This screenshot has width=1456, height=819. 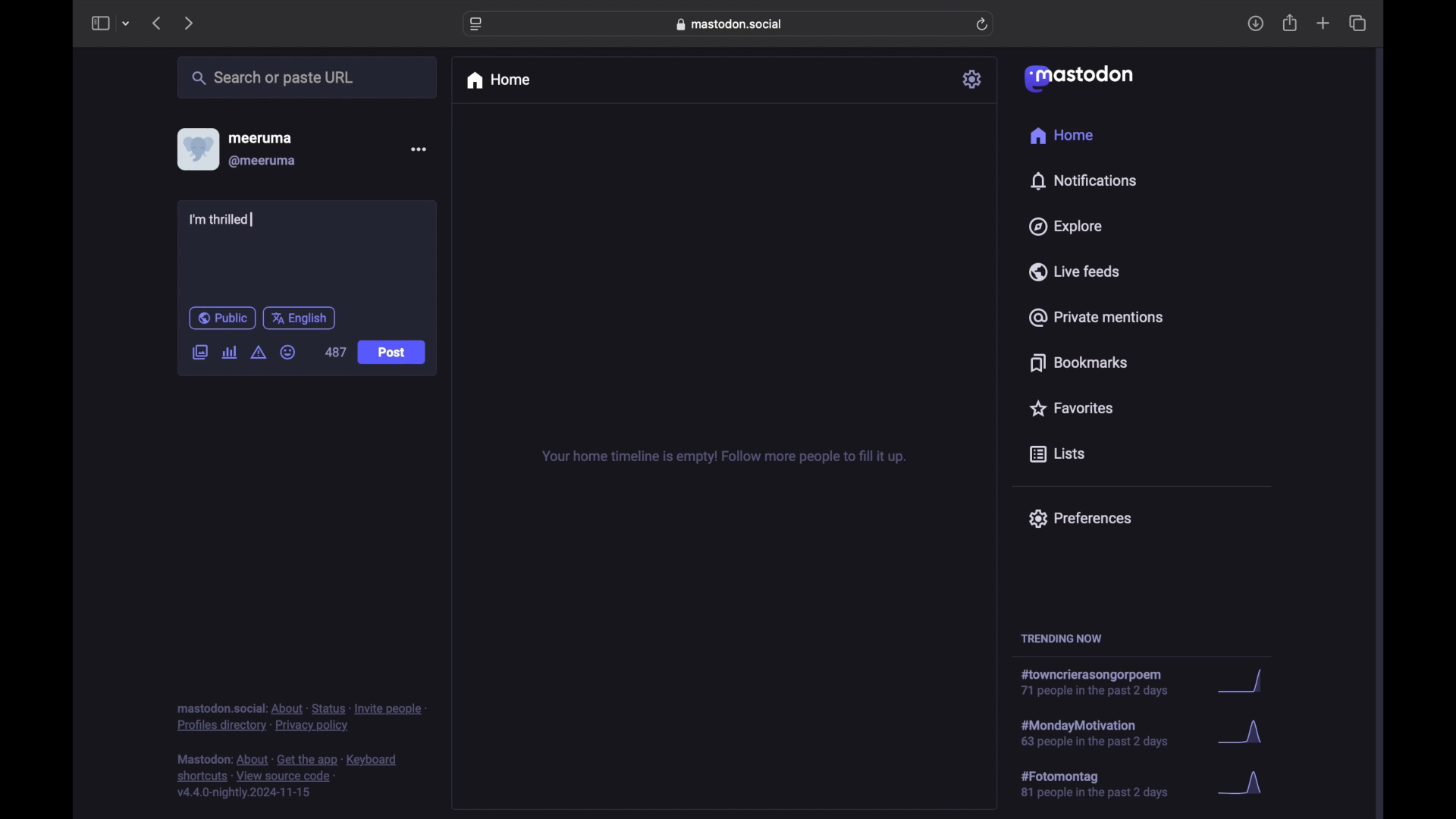 What do you see at coordinates (301, 718) in the screenshot?
I see `footnote` at bounding box center [301, 718].